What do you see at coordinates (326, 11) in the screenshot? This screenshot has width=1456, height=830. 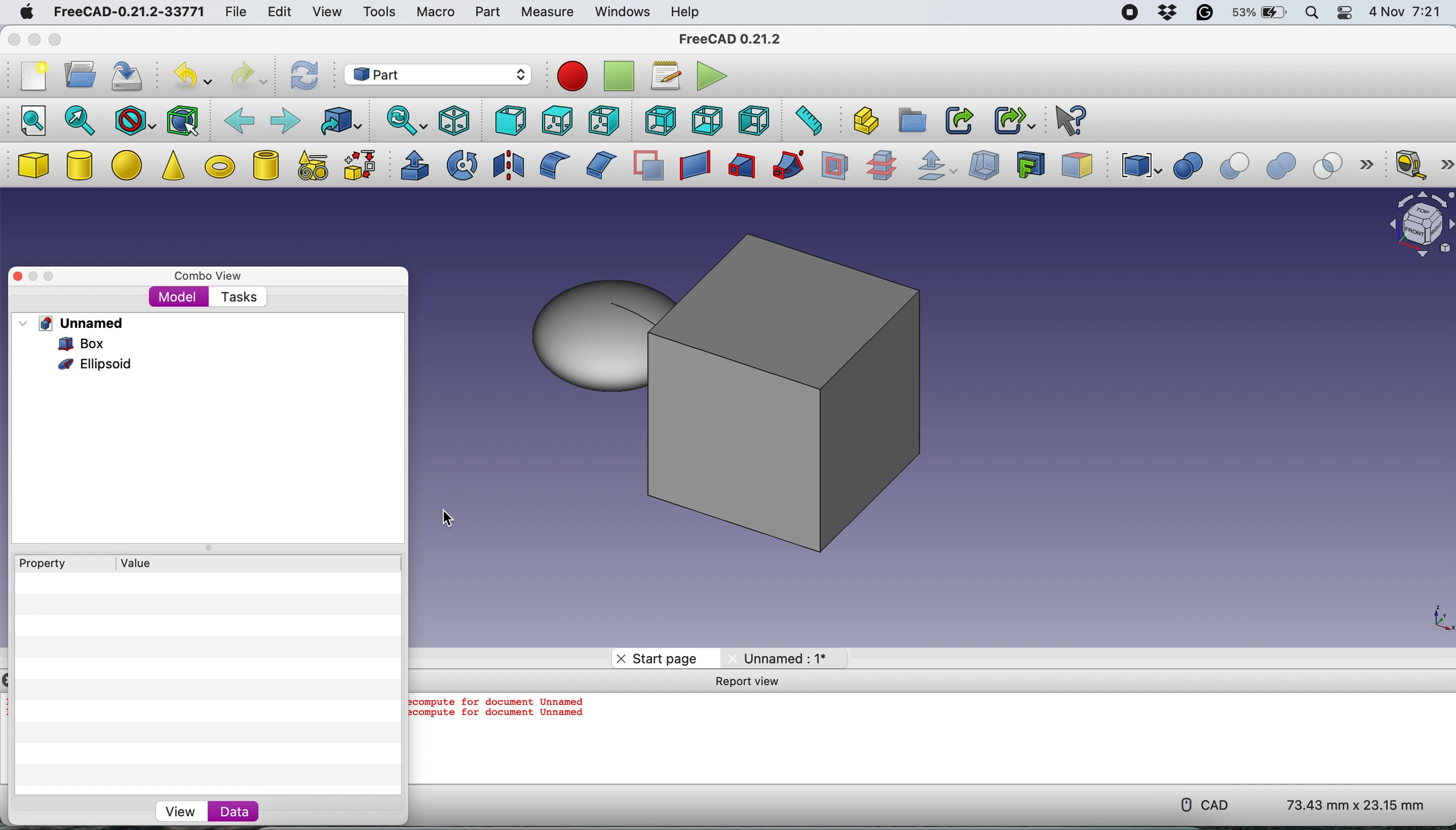 I see `view` at bounding box center [326, 11].